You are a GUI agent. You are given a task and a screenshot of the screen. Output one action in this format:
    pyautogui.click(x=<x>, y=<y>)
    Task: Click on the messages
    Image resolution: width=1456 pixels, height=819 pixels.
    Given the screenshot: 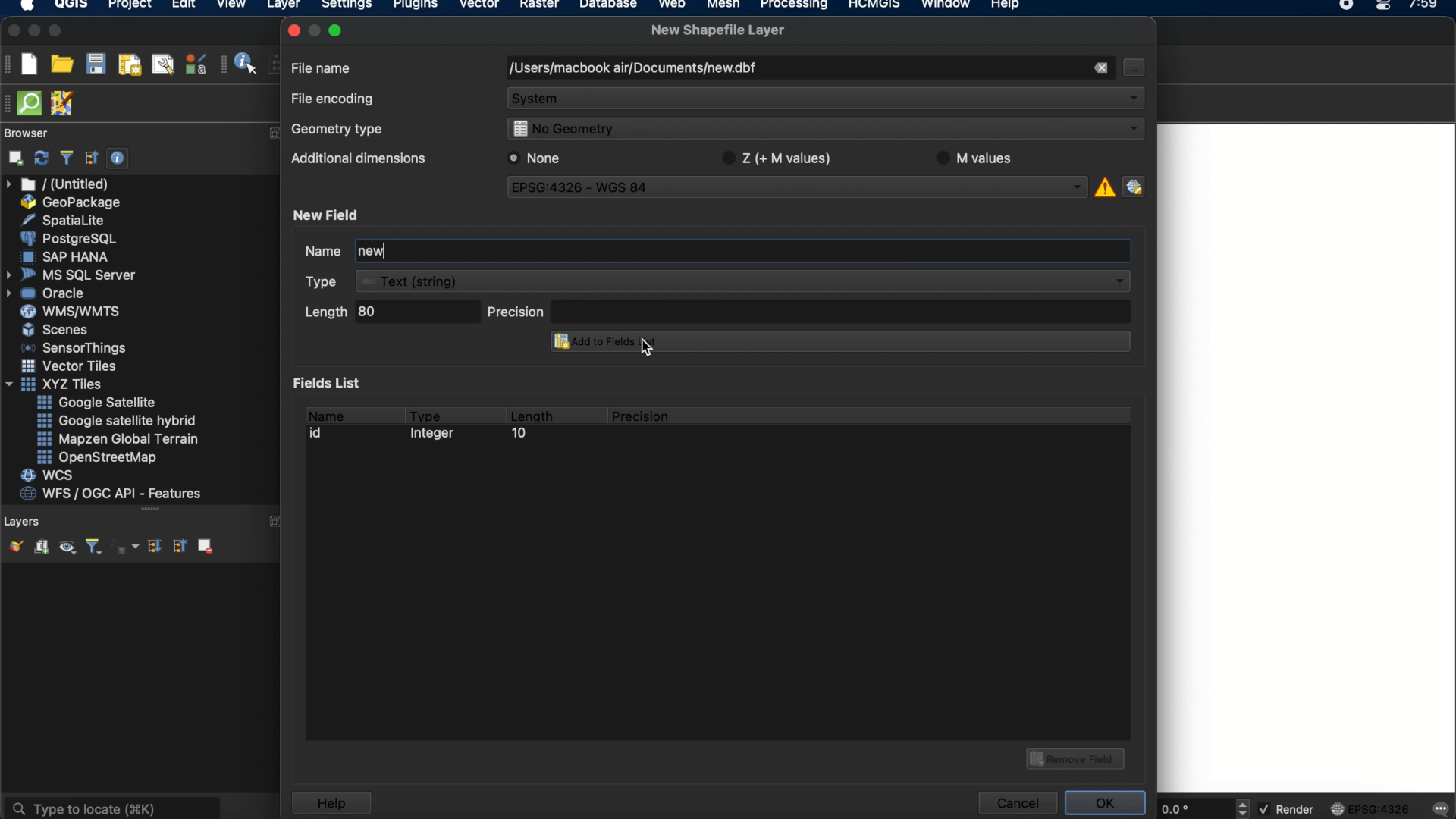 What is the action you would take?
    pyautogui.click(x=1439, y=810)
    